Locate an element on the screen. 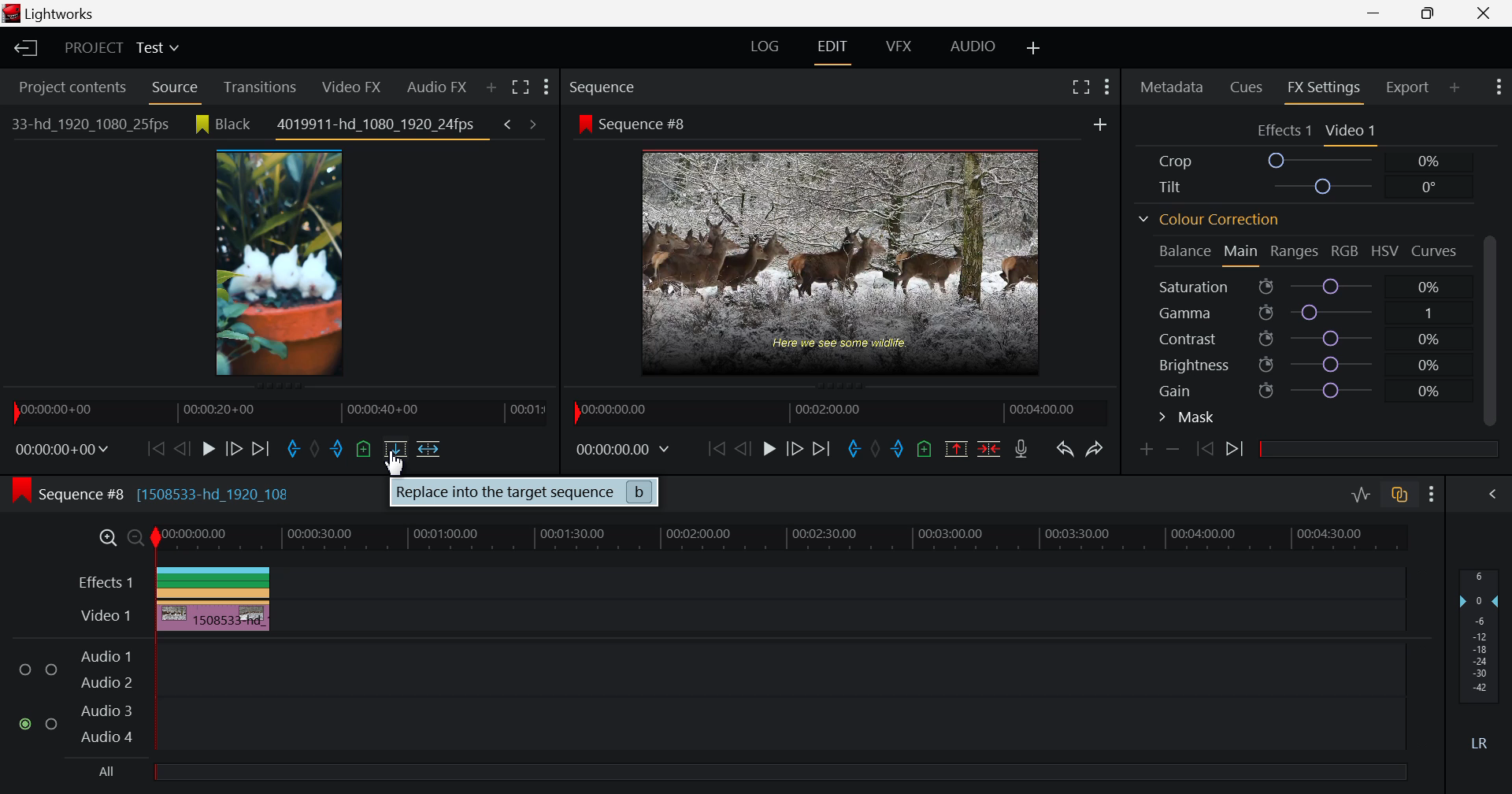  Gamma is located at coordinates (1307, 313).